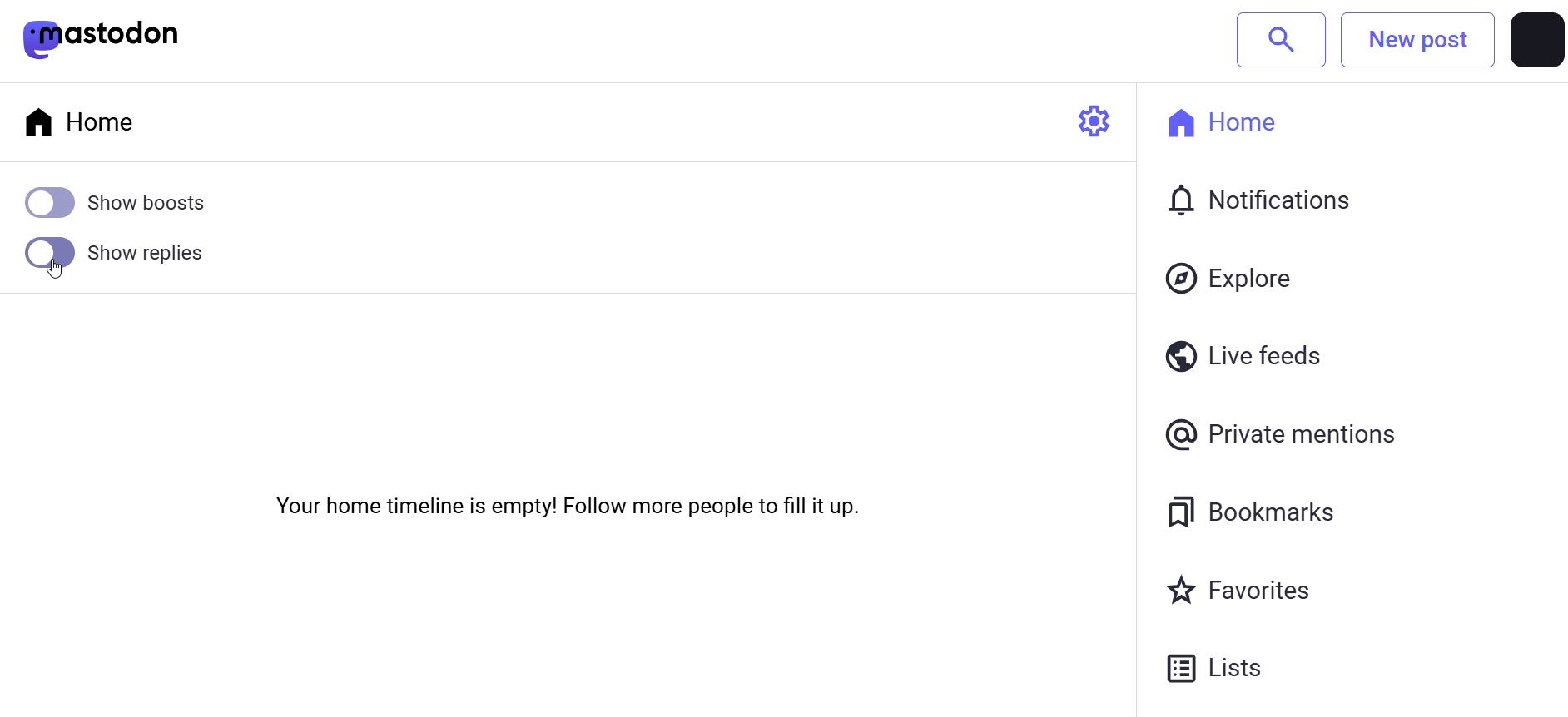  Describe the element at coordinates (1082, 121) in the screenshot. I see `setting` at that location.